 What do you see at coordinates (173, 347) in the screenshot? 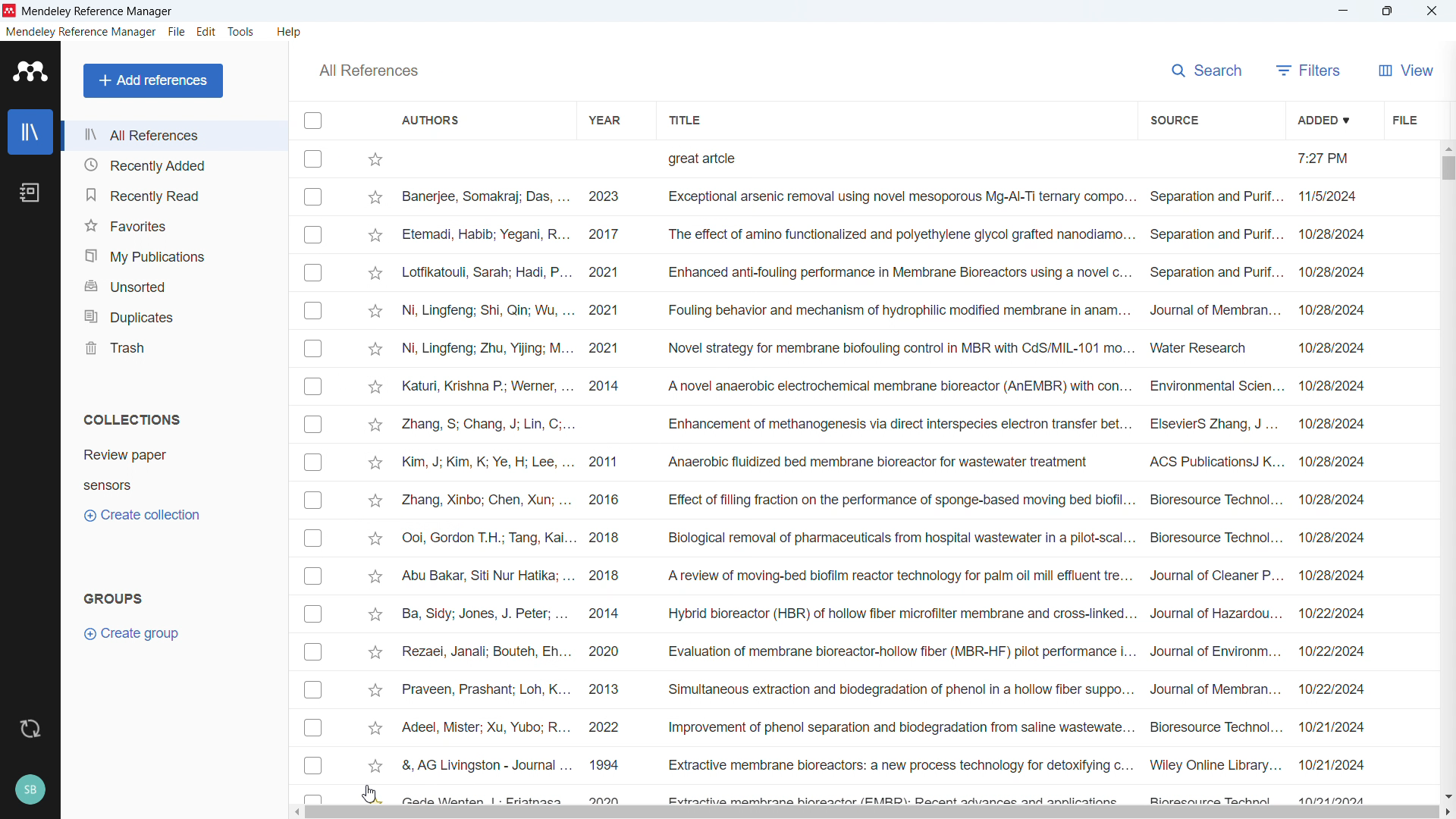
I see `Trash ` at bounding box center [173, 347].